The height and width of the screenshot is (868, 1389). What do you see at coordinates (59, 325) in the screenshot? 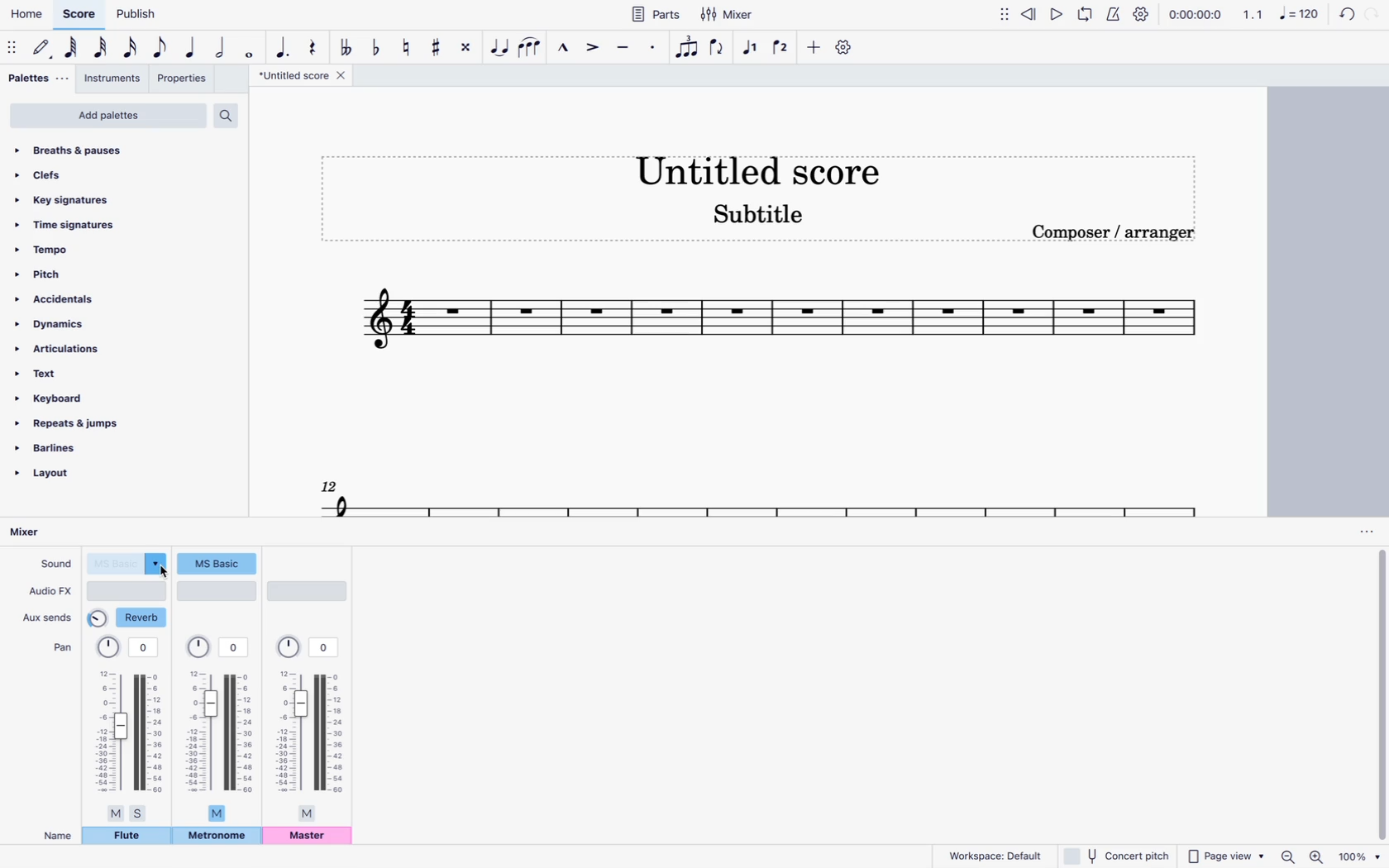
I see `dynamics` at bounding box center [59, 325].